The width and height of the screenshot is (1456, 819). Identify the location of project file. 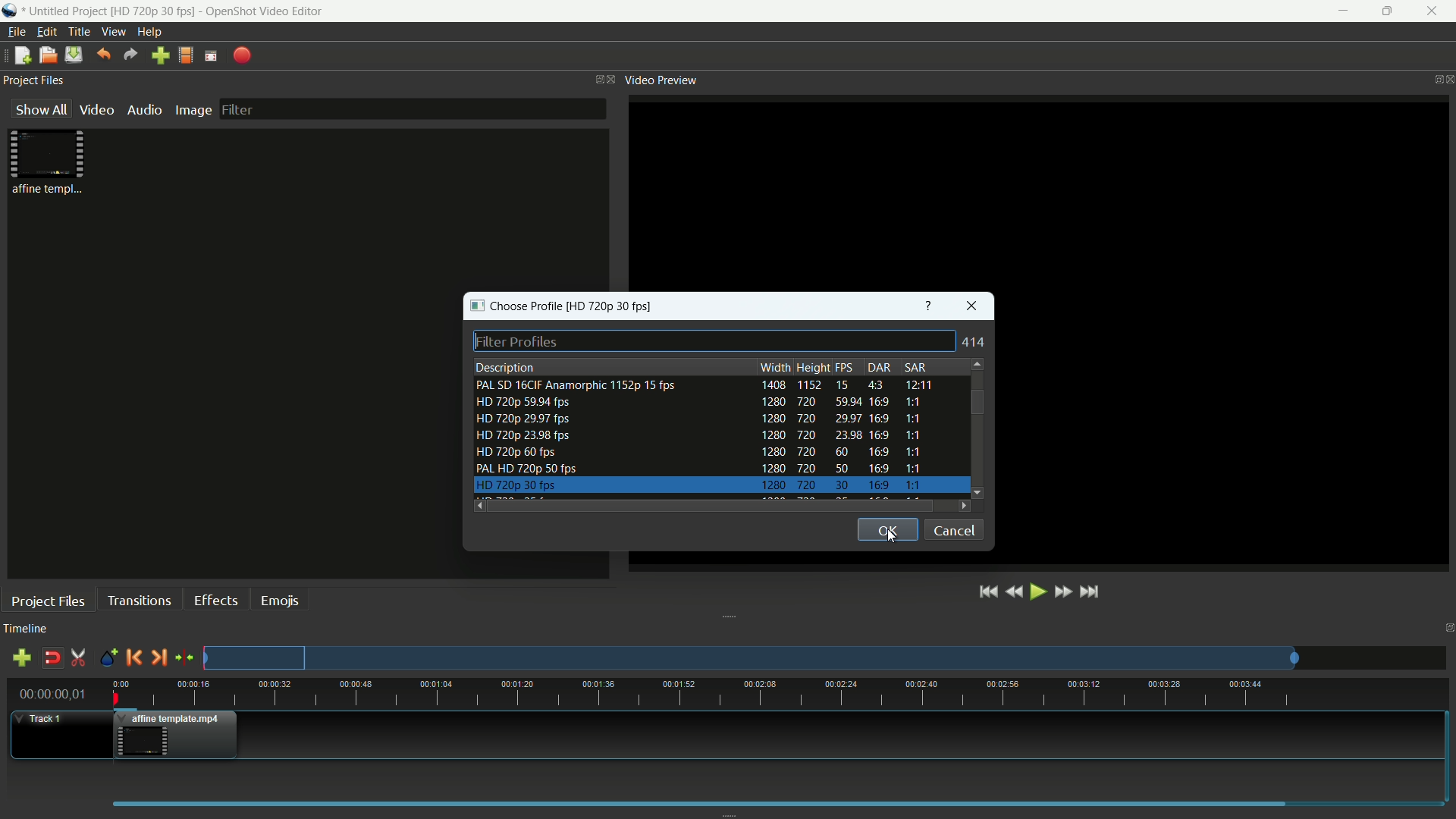
(49, 162).